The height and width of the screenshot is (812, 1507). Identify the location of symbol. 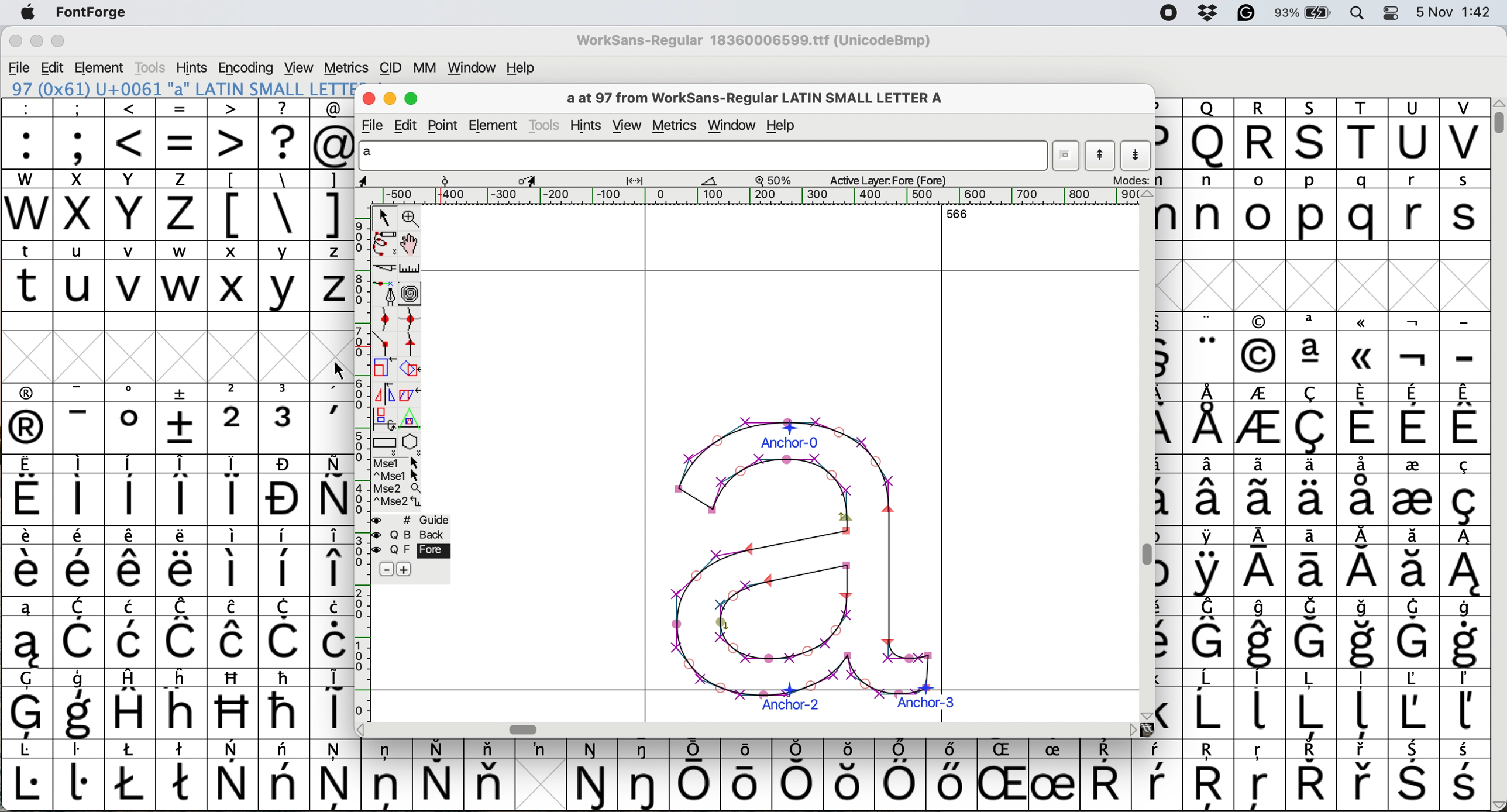
(132, 562).